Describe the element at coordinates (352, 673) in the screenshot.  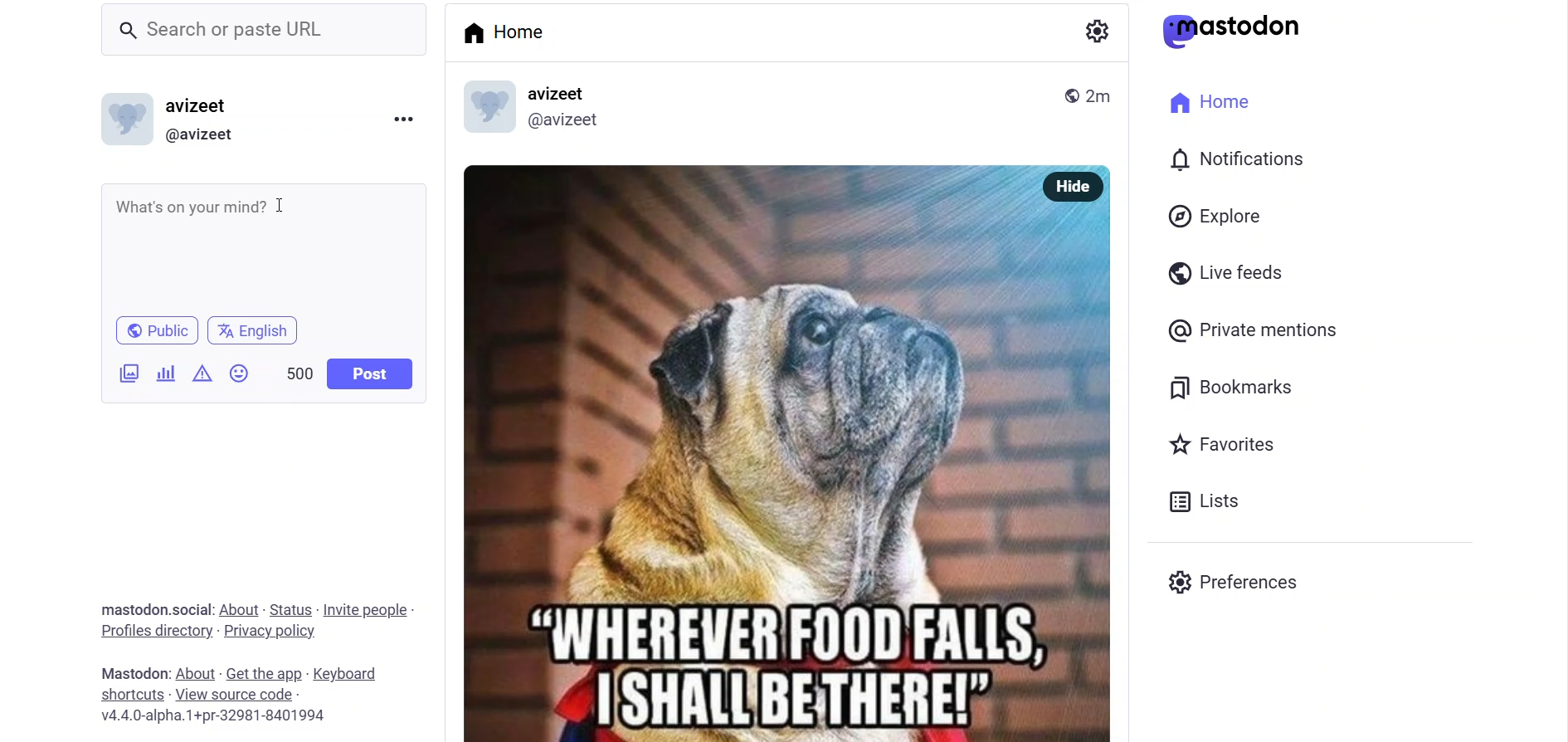
I see `keyboard` at that location.